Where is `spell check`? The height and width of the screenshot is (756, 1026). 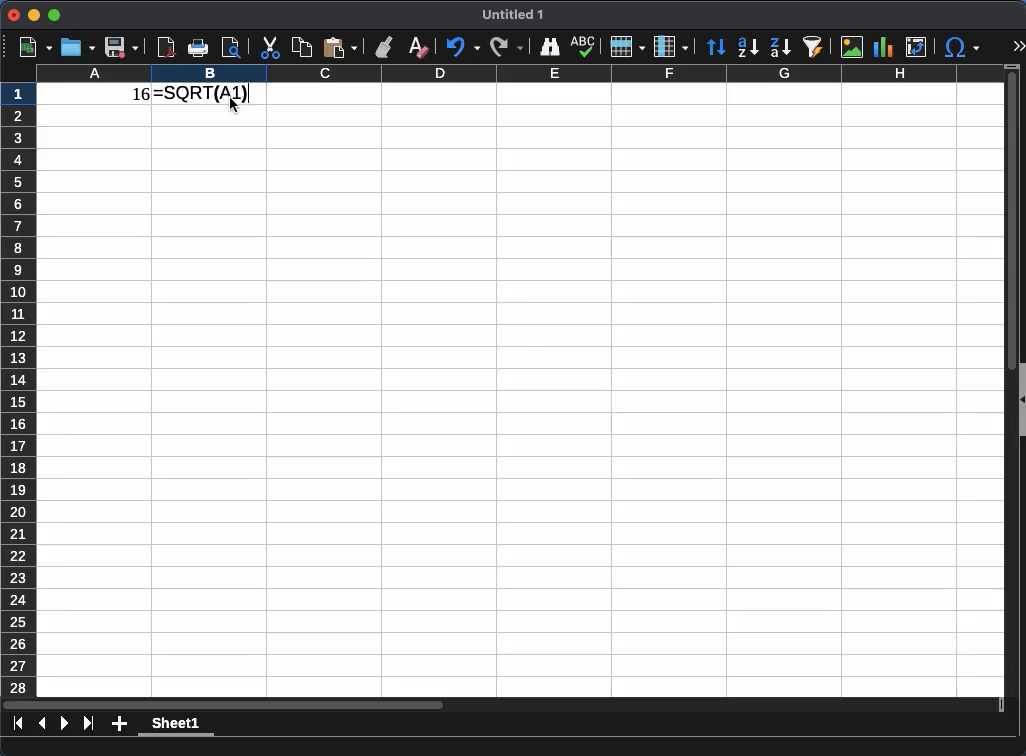 spell check is located at coordinates (584, 47).